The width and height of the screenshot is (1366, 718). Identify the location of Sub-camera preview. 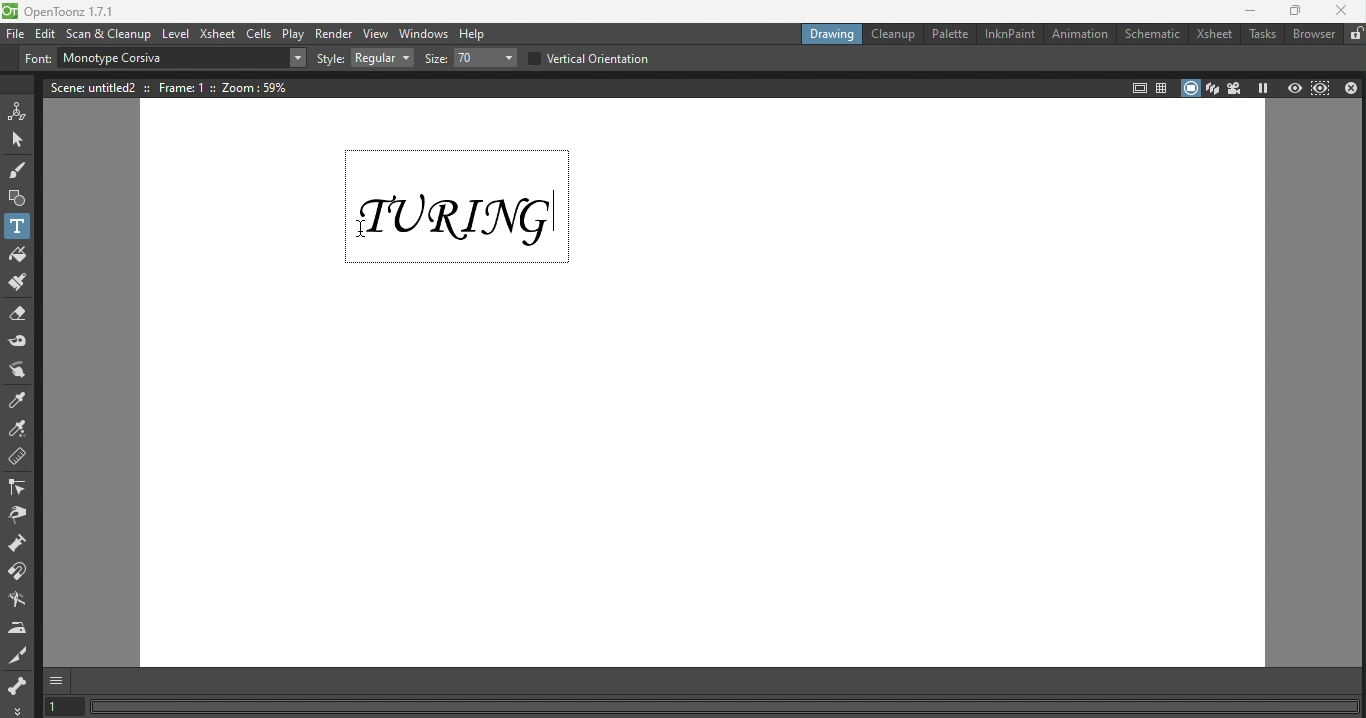
(1321, 88).